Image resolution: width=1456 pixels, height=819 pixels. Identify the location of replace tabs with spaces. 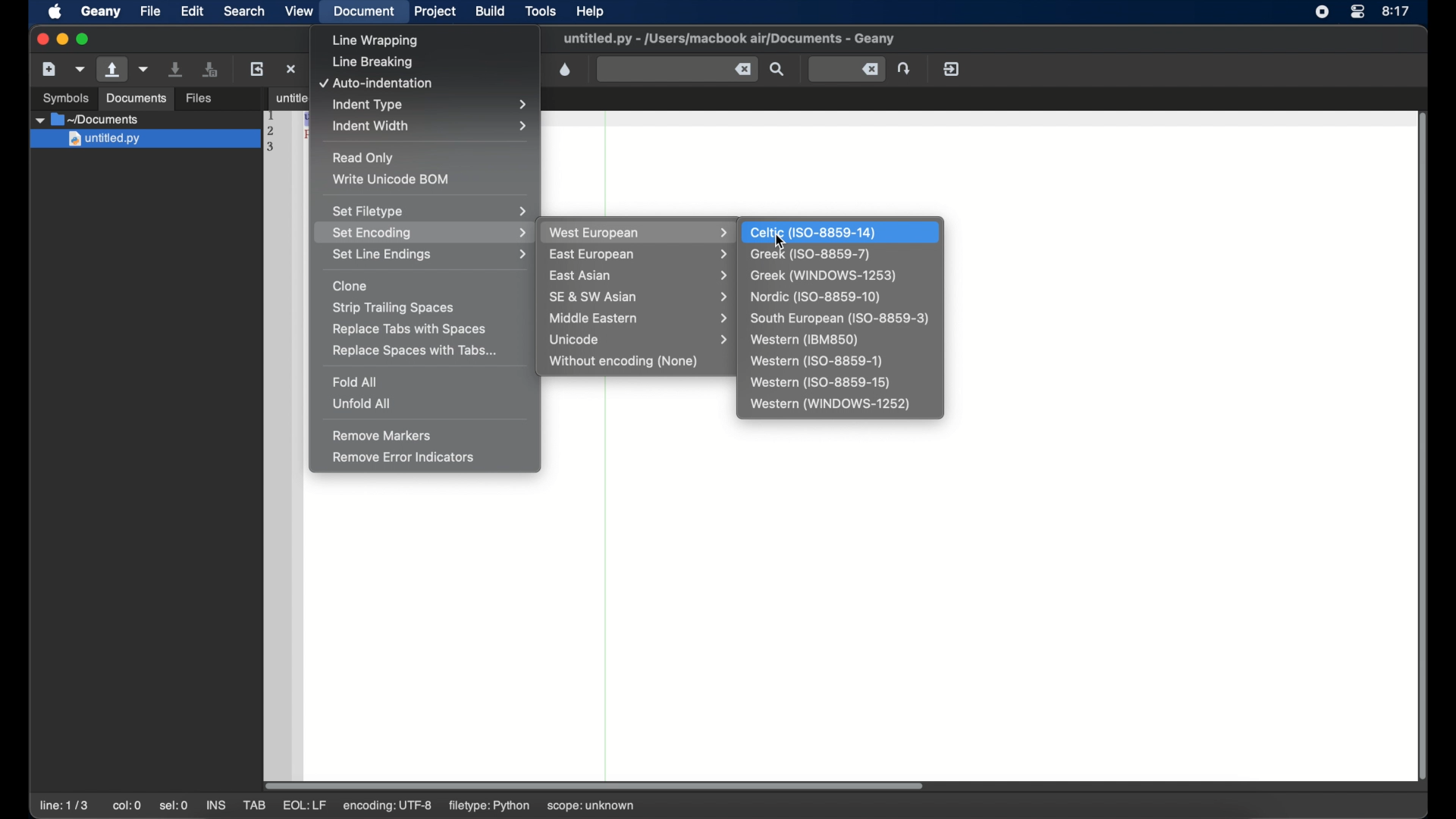
(410, 329).